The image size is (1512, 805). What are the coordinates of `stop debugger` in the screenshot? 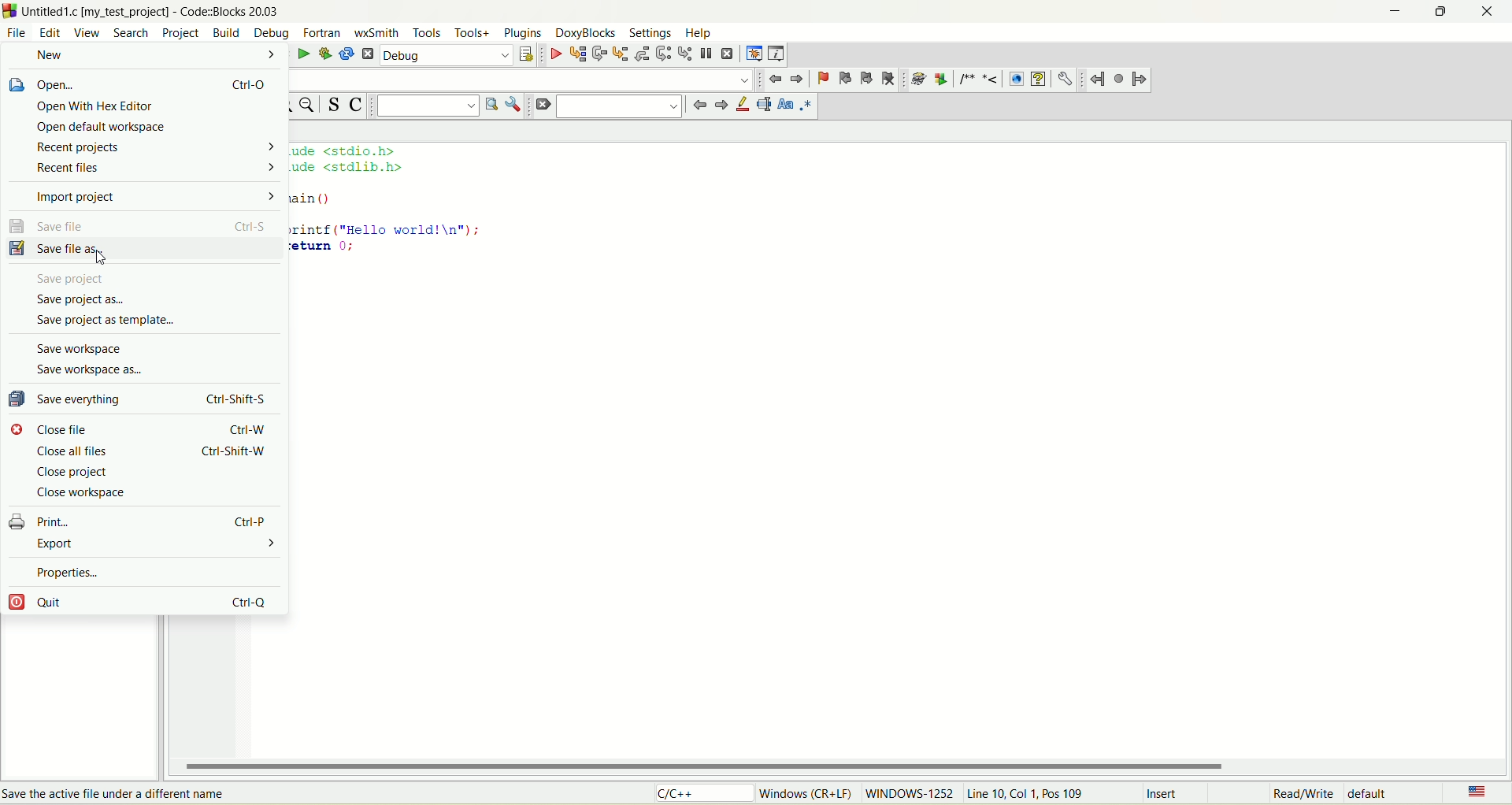 It's located at (728, 54).